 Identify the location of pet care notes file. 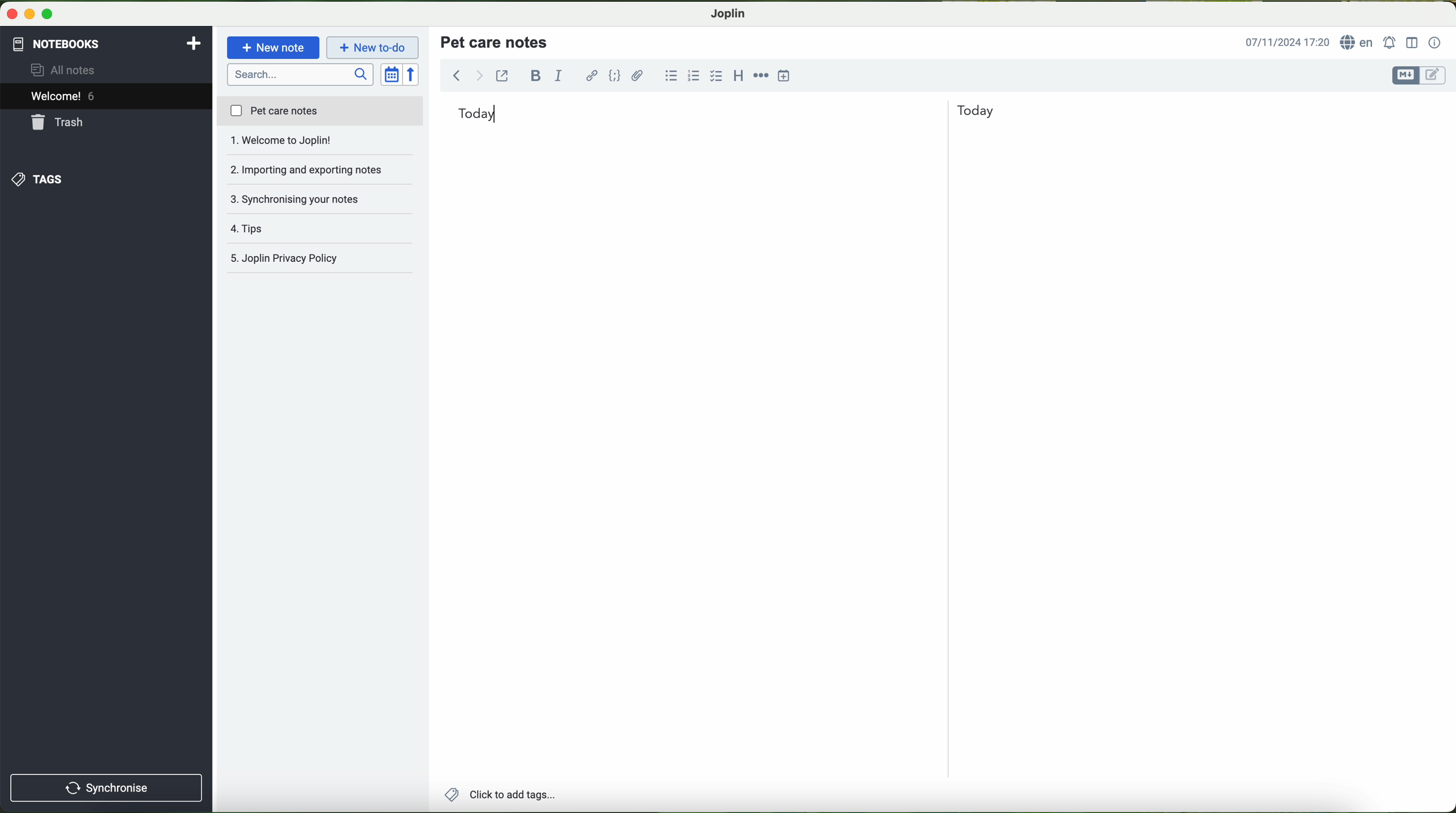
(319, 112).